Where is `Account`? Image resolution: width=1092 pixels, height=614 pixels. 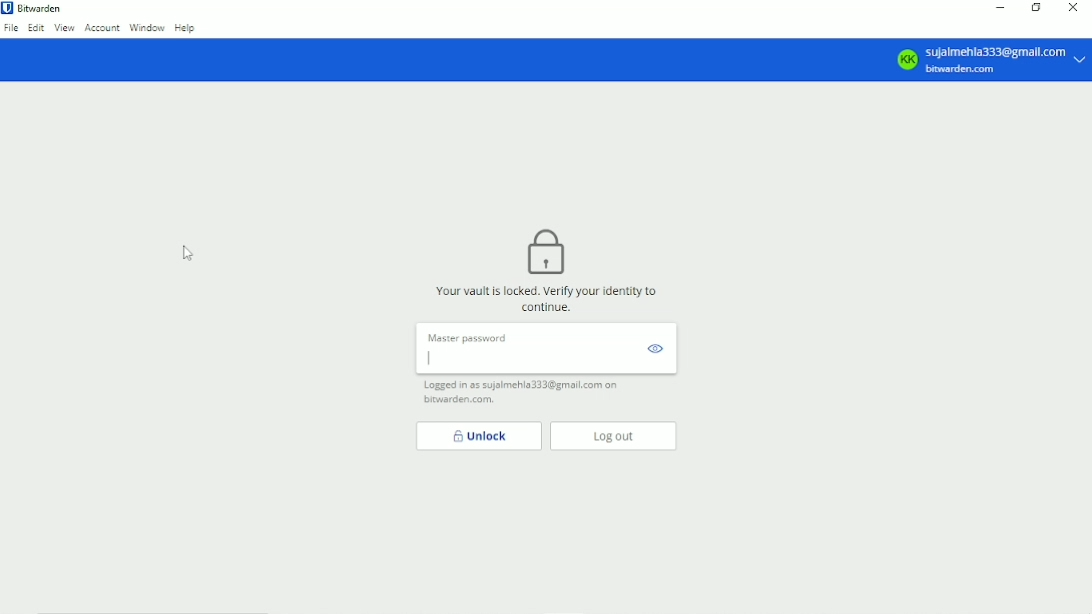
Account is located at coordinates (102, 29).